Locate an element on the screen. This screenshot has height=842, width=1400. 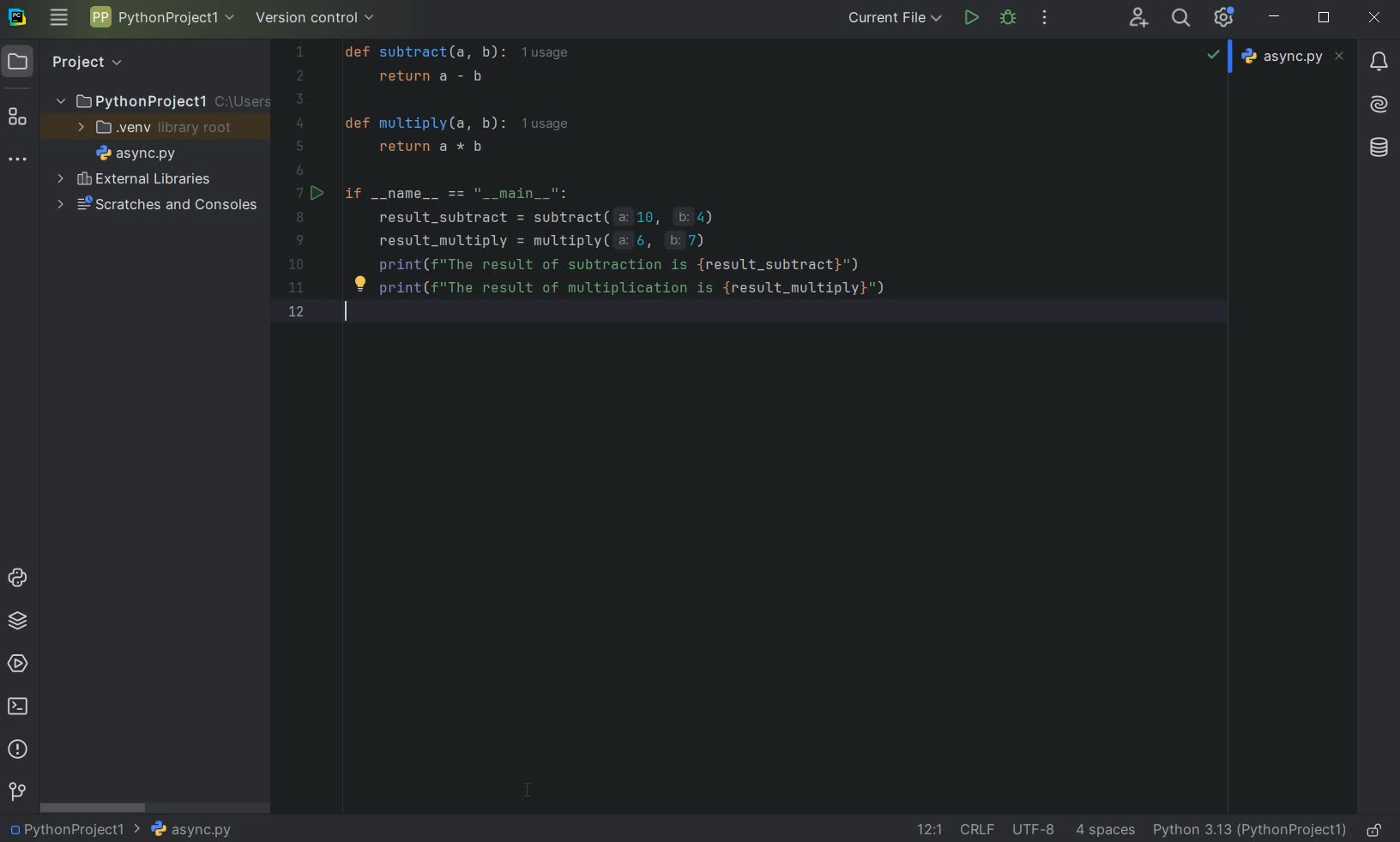
python packages is located at coordinates (21, 621).